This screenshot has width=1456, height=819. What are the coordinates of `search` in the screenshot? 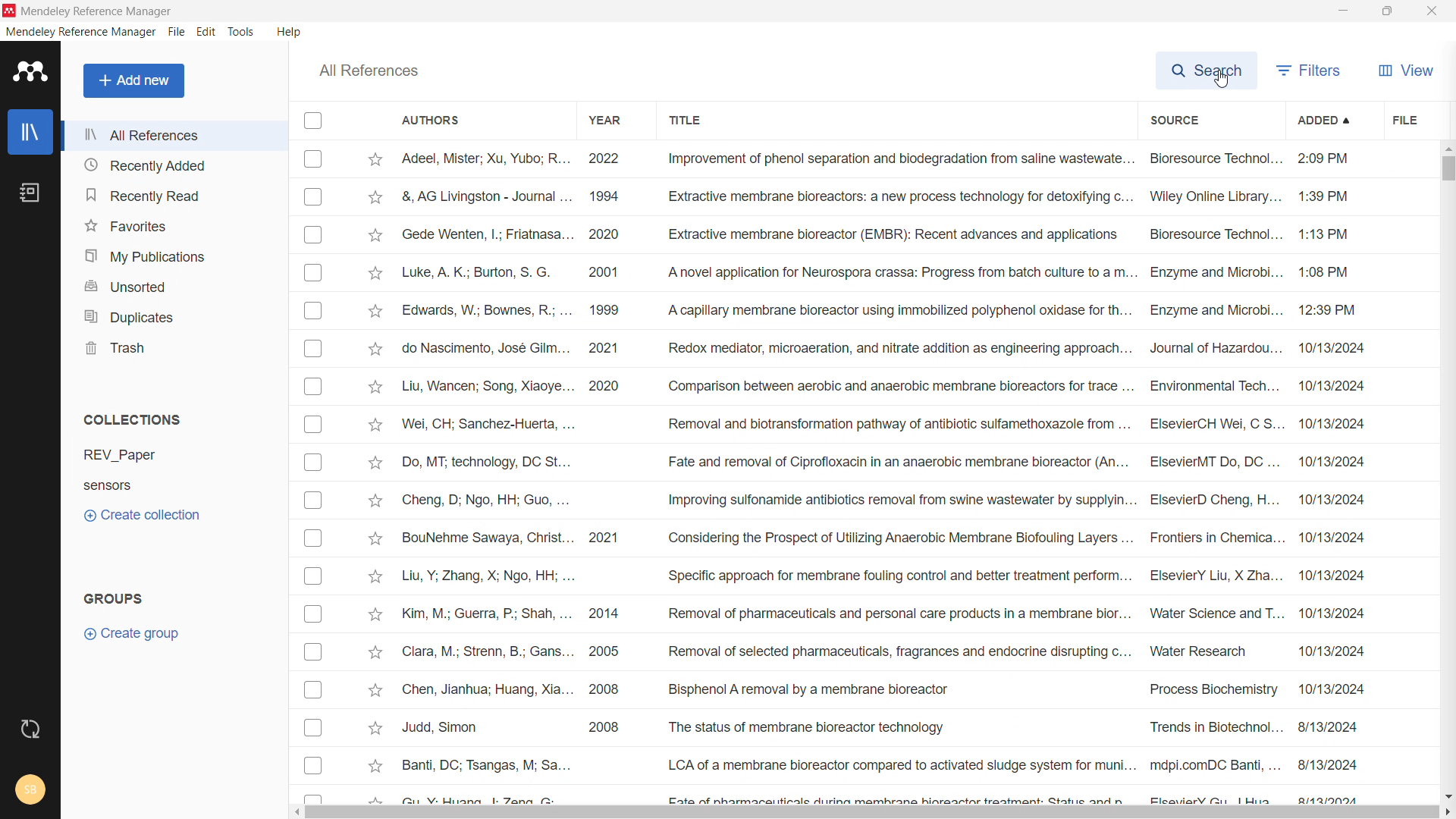 It's located at (1208, 68).